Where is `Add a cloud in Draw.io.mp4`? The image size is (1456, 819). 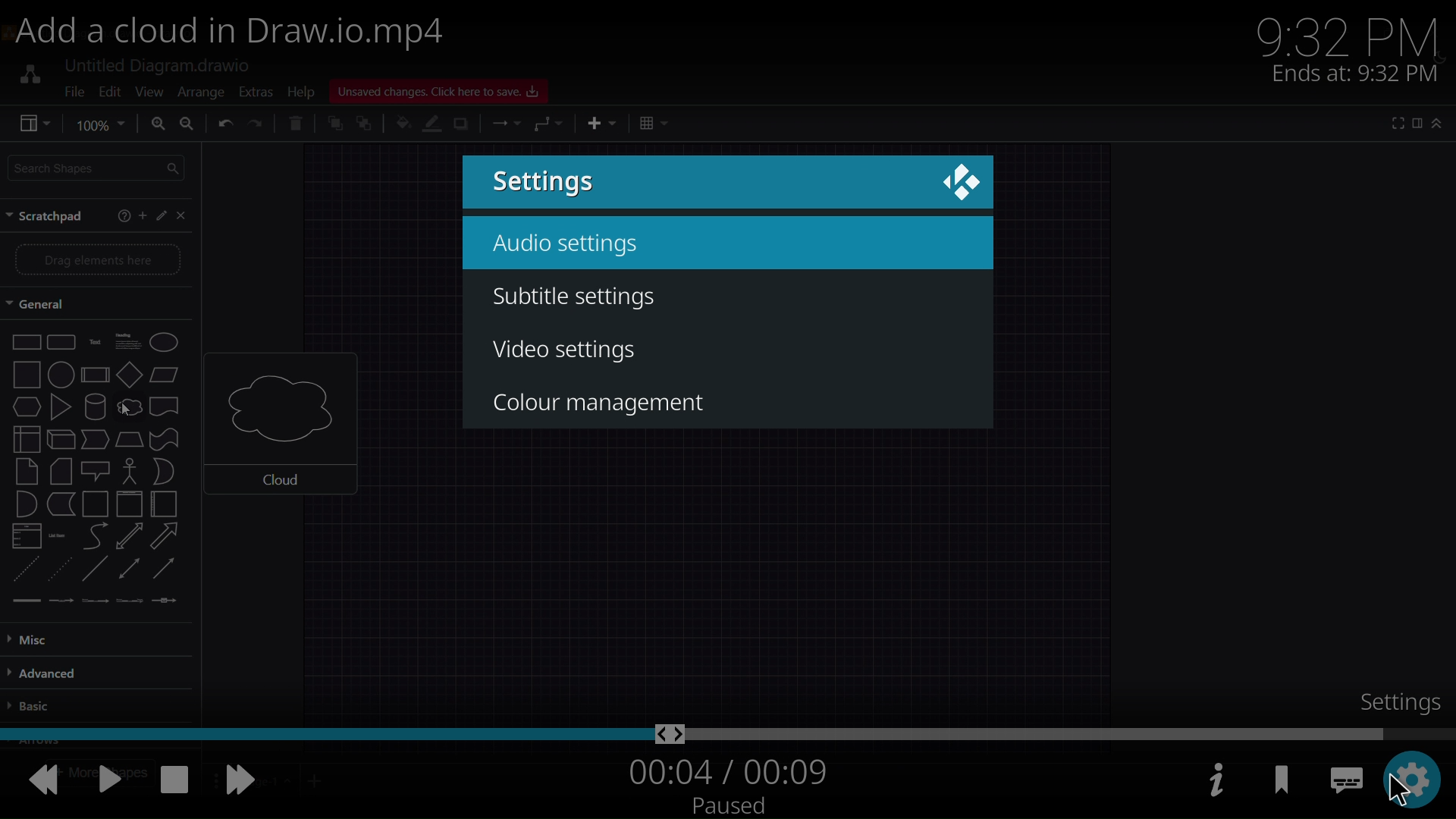
Add a cloud in Draw.io.mp4 is located at coordinates (245, 35).